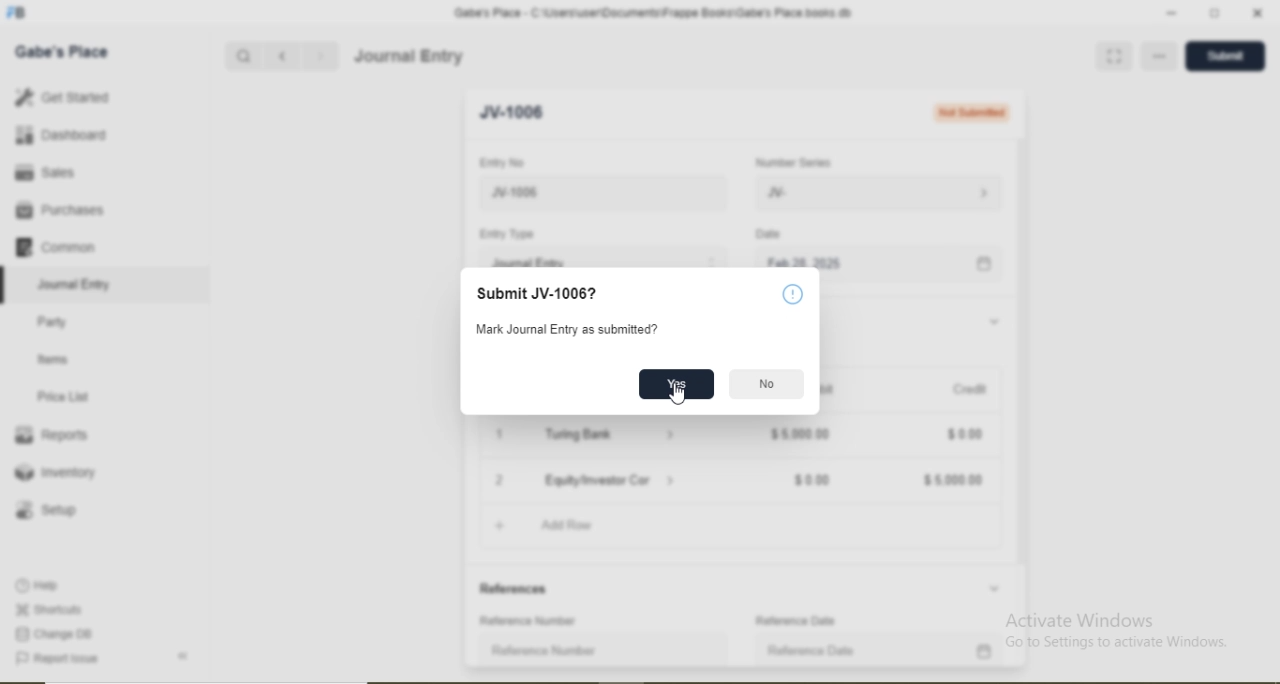  I want to click on Dropdown, so click(672, 479).